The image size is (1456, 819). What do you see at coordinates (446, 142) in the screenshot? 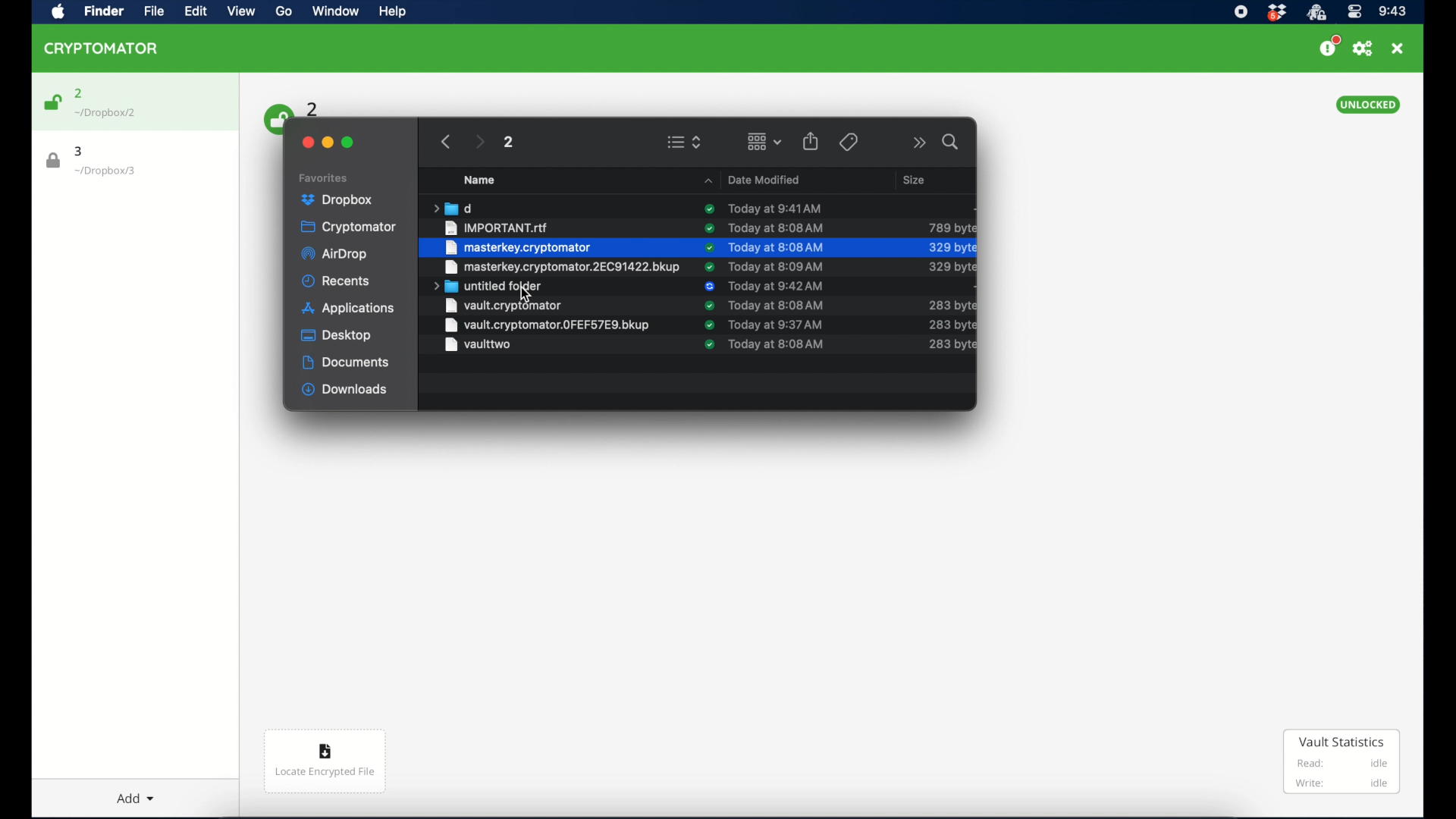
I see `previous` at bounding box center [446, 142].